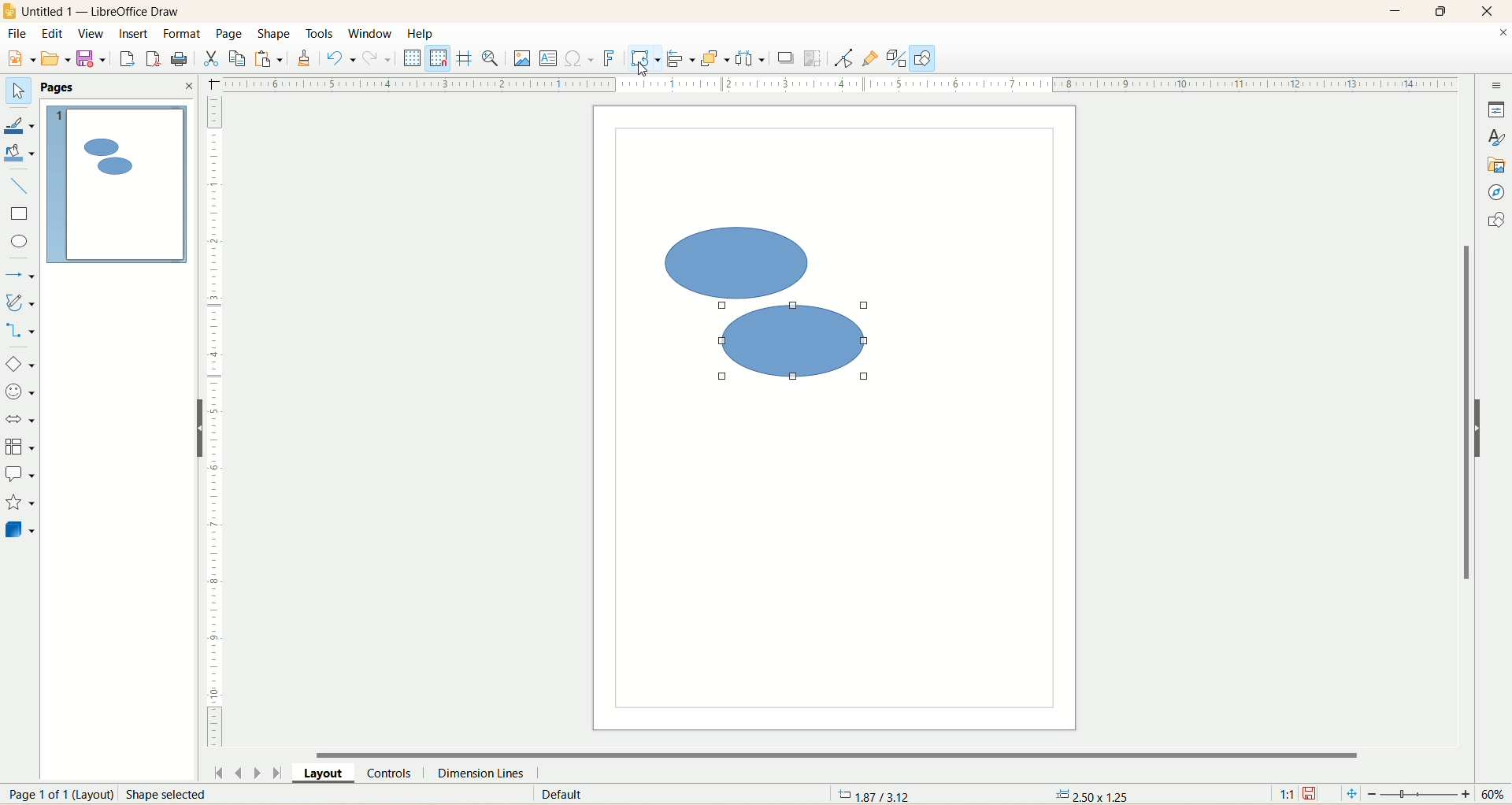 Image resolution: width=1512 pixels, height=805 pixels. What do you see at coordinates (578, 59) in the screenshot?
I see `special character` at bounding box center [578, 59].